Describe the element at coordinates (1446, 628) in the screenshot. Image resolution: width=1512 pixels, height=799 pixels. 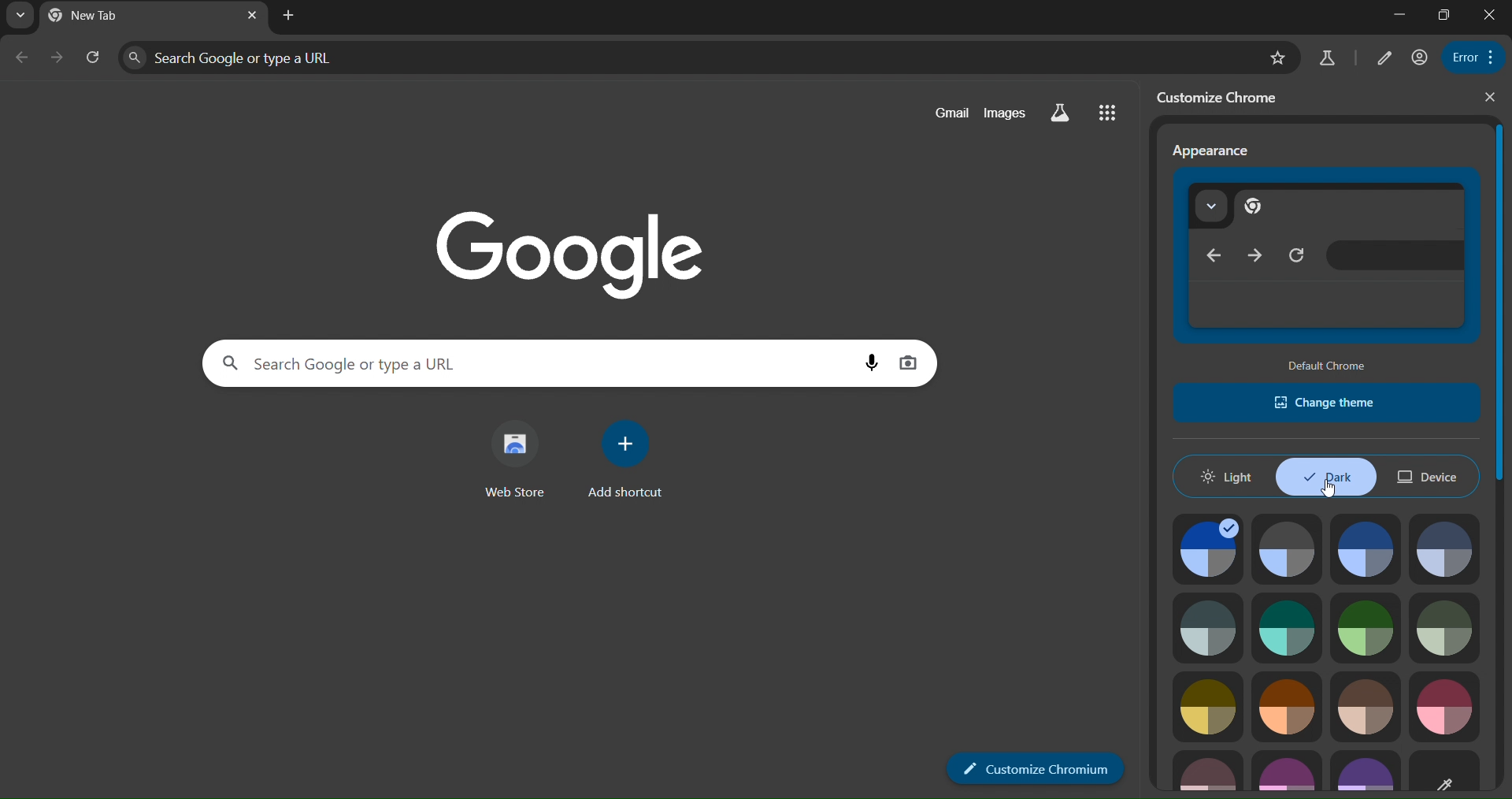
I see `theme icon` at that location.